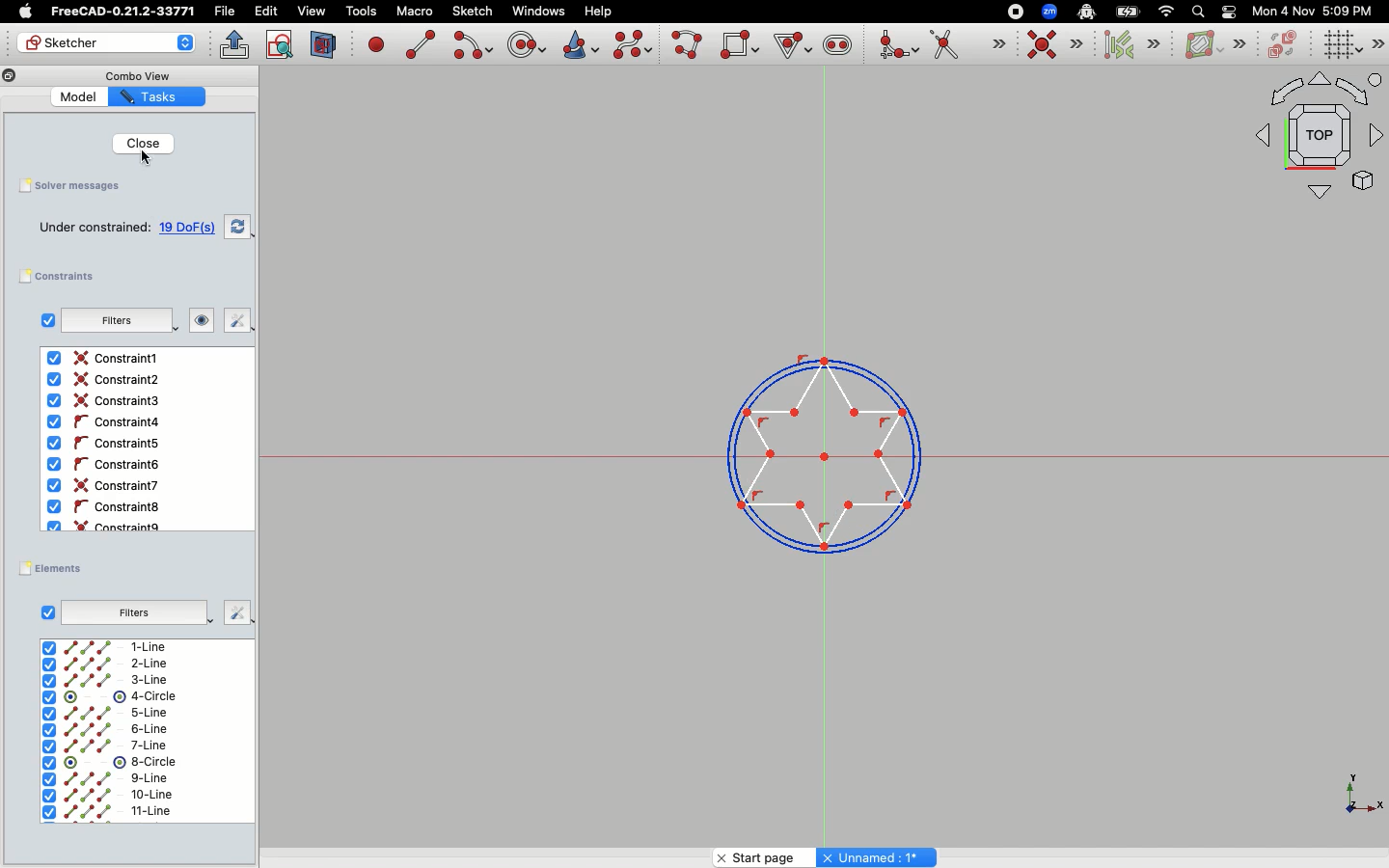  I want to click on 6-line, so click(104, 730).